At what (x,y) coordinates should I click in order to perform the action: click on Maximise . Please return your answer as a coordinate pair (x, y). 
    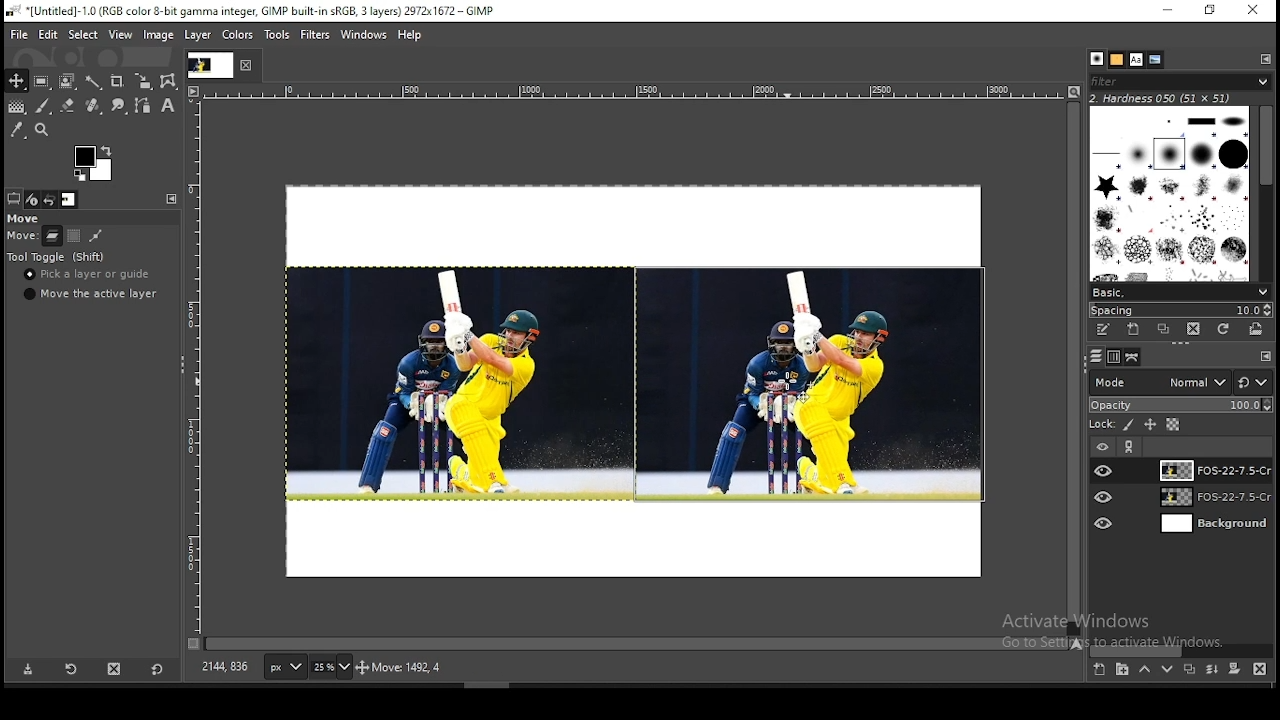
    Looking at the image, I should click on (1211, 10).